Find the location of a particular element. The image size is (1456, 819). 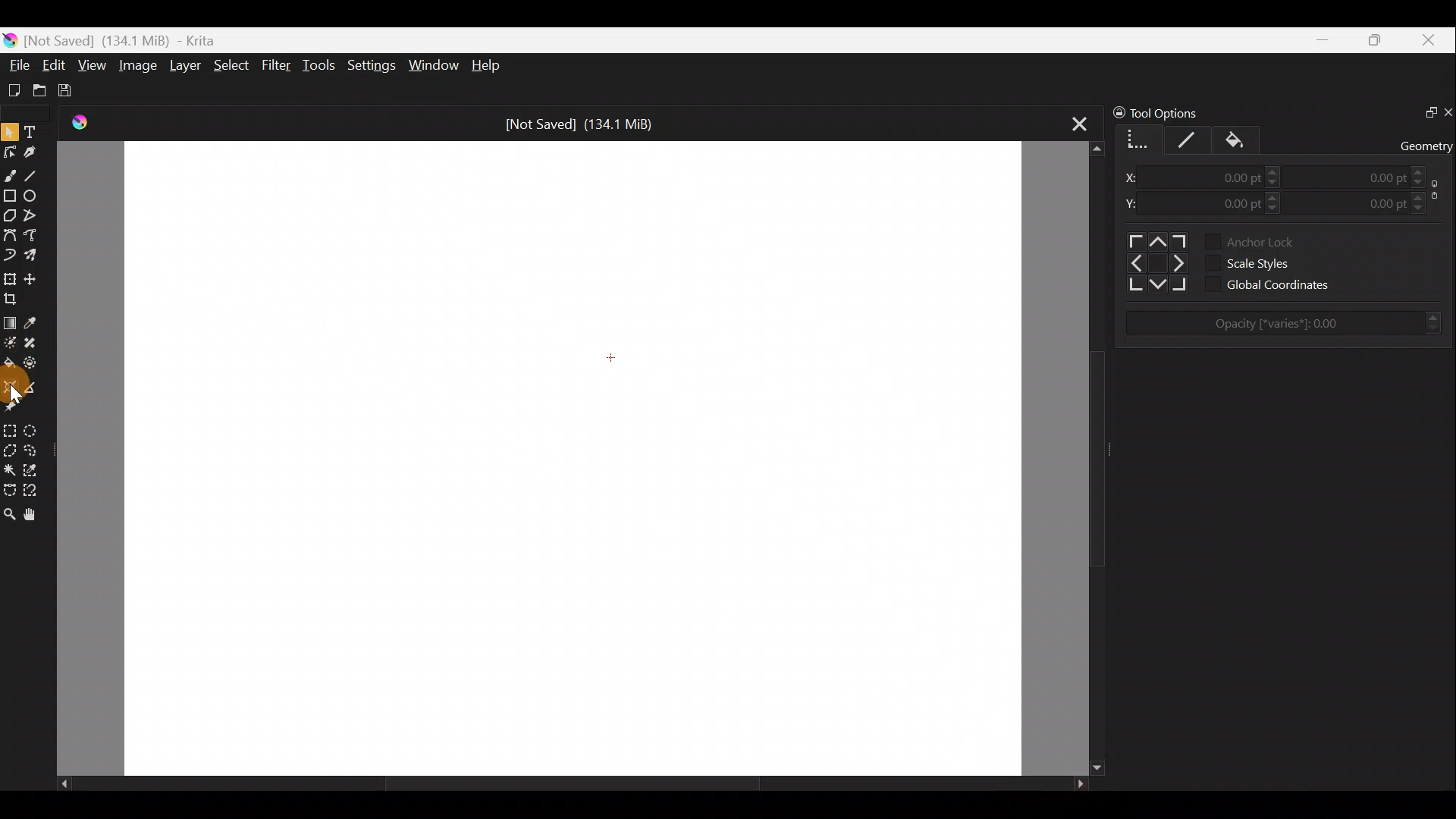

Contiguous selection tool is located at coordinates (10, 468).